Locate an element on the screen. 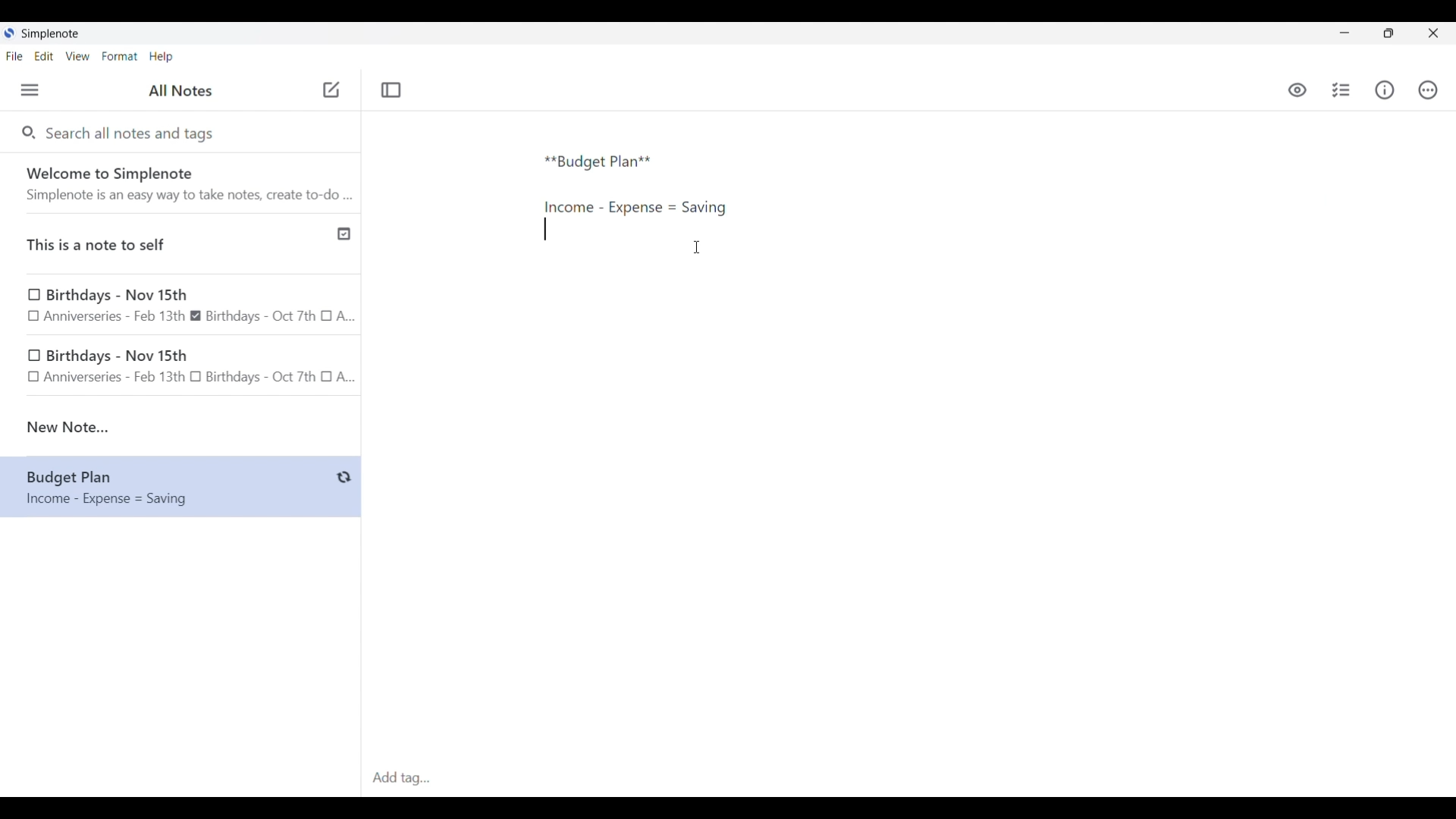 The height and width of the screenshot is (819, 1456). Format menu is located at coordinates (120, 56).